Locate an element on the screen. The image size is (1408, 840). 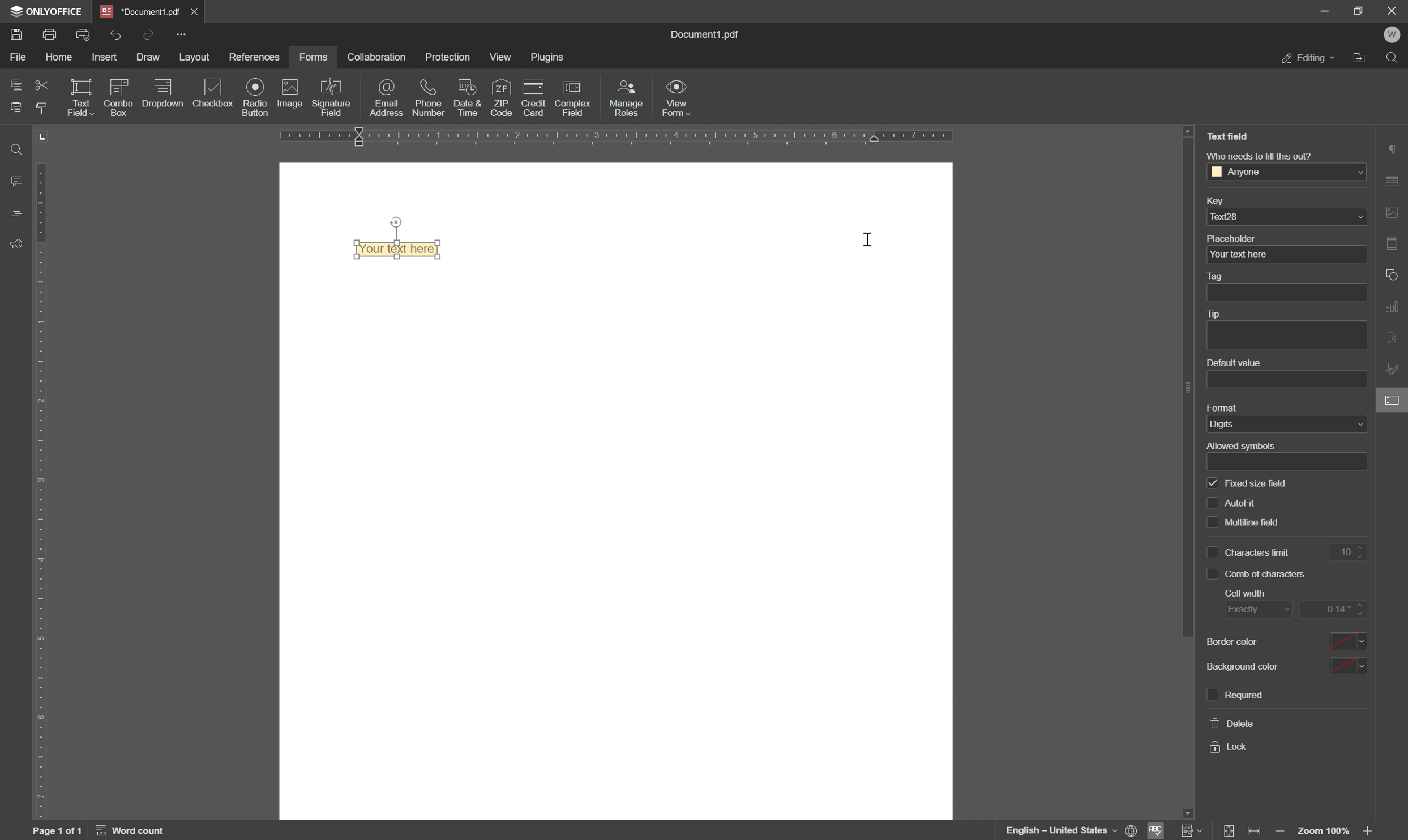
open file location is located at coordinates (1359, 58).